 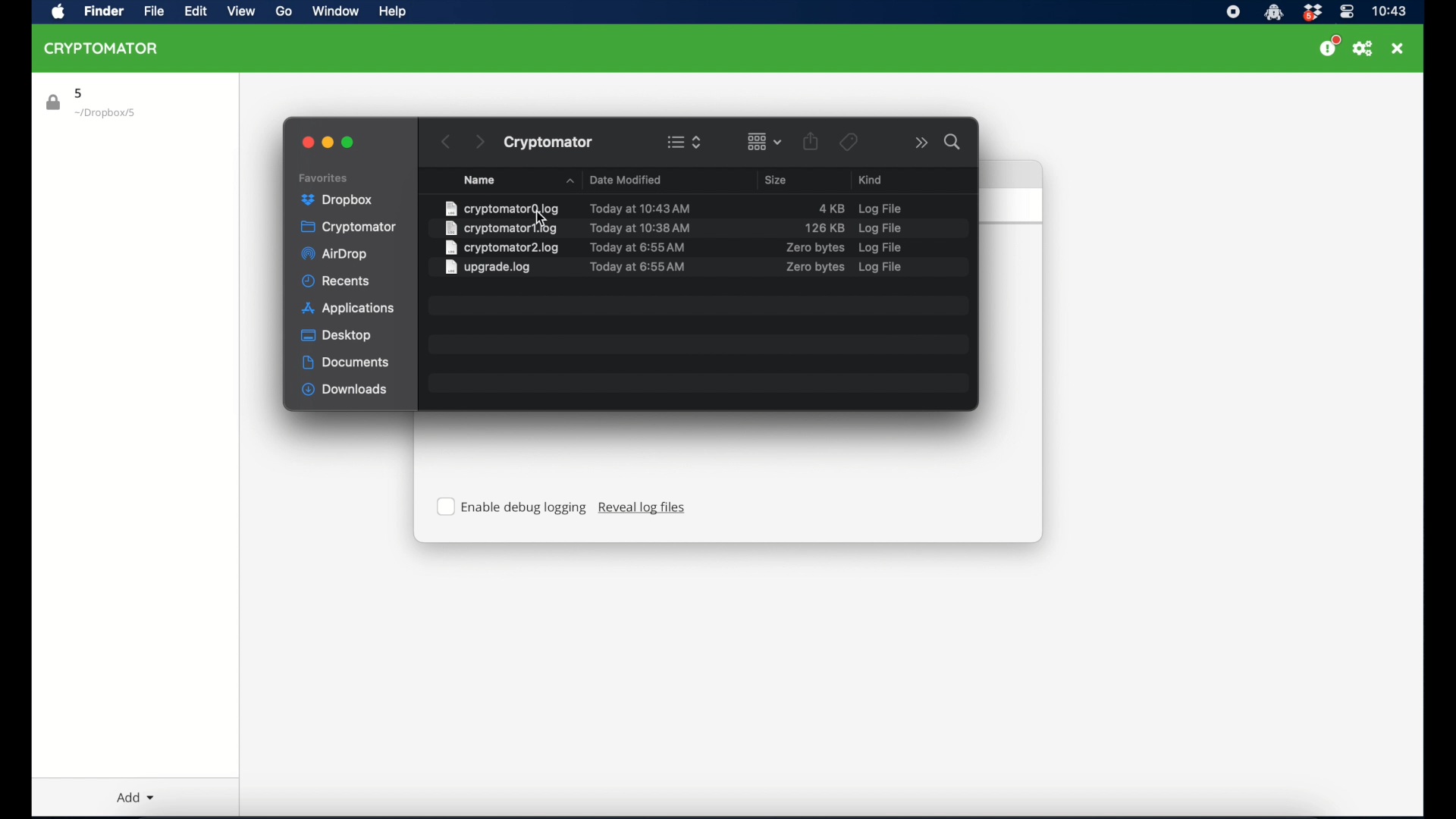 What do you see at coordinates (1232, 12) in the screenshot?
I see `screen recorder icon` at bounding box center [1232, 12].